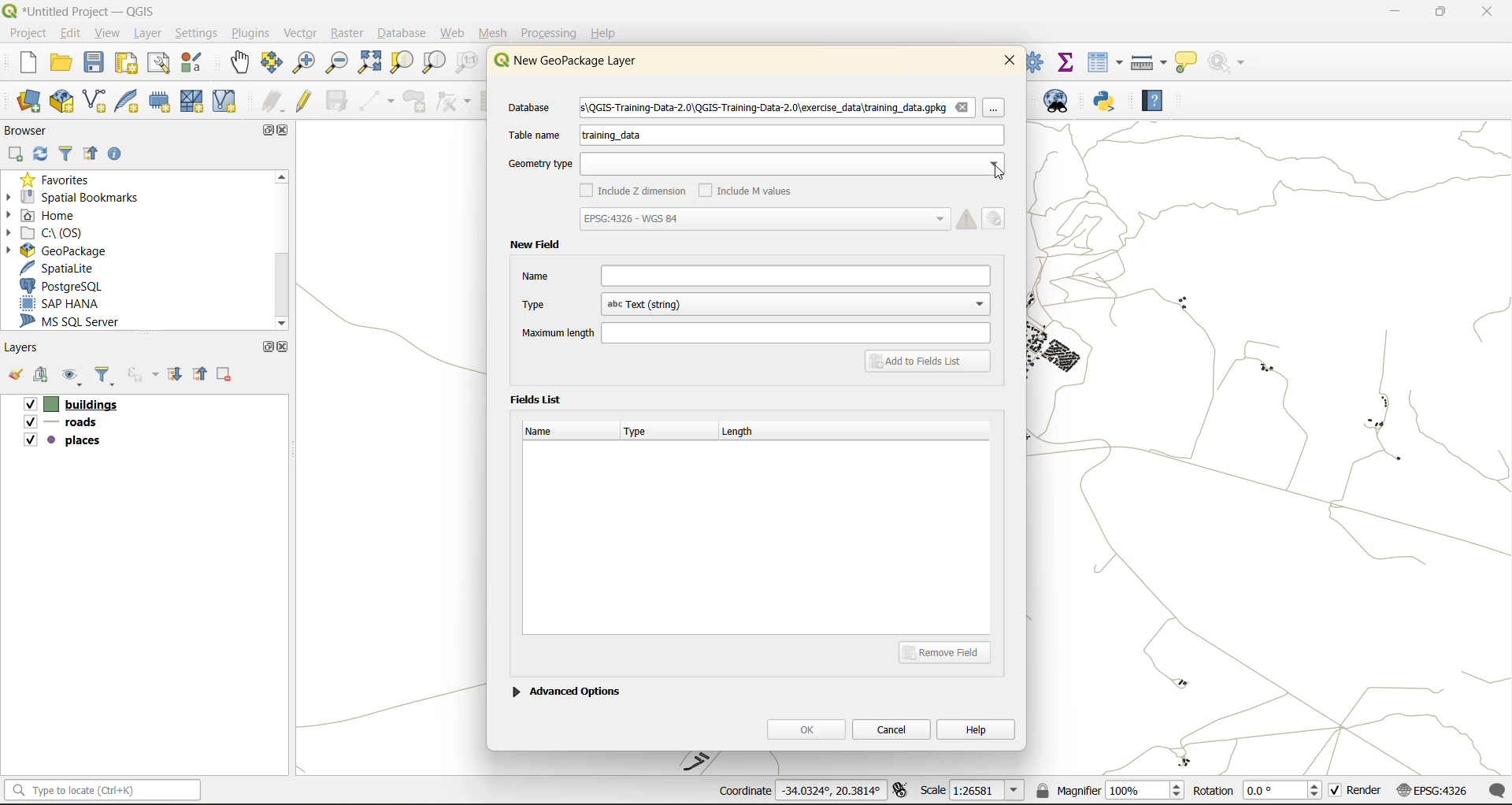 This screenshot has width=1512, height=805. I want to click on no action, so click(1228, 59).